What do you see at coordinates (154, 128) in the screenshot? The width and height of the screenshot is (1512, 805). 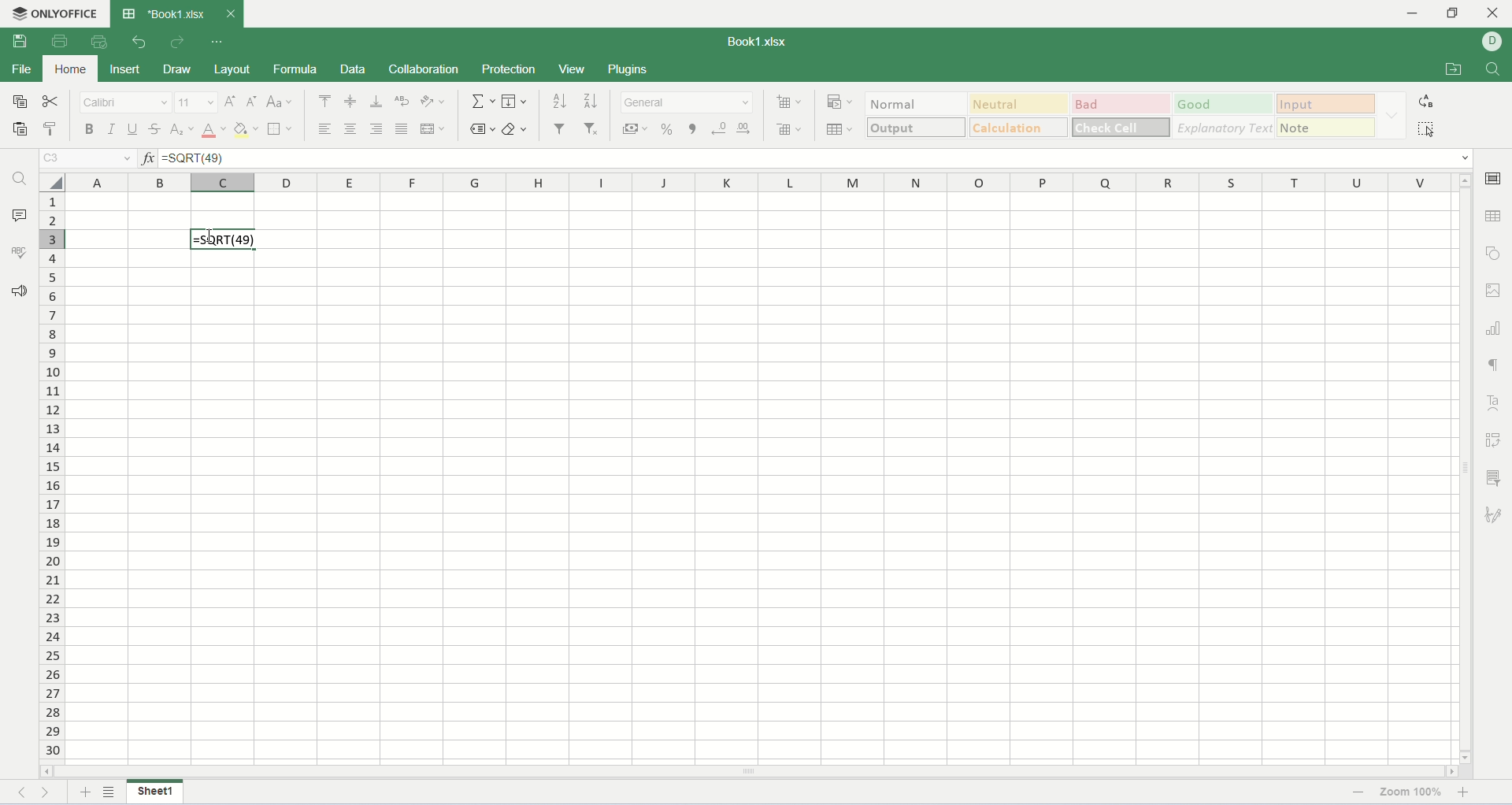 I see `strikethrough` at bounding box center [154, 128].